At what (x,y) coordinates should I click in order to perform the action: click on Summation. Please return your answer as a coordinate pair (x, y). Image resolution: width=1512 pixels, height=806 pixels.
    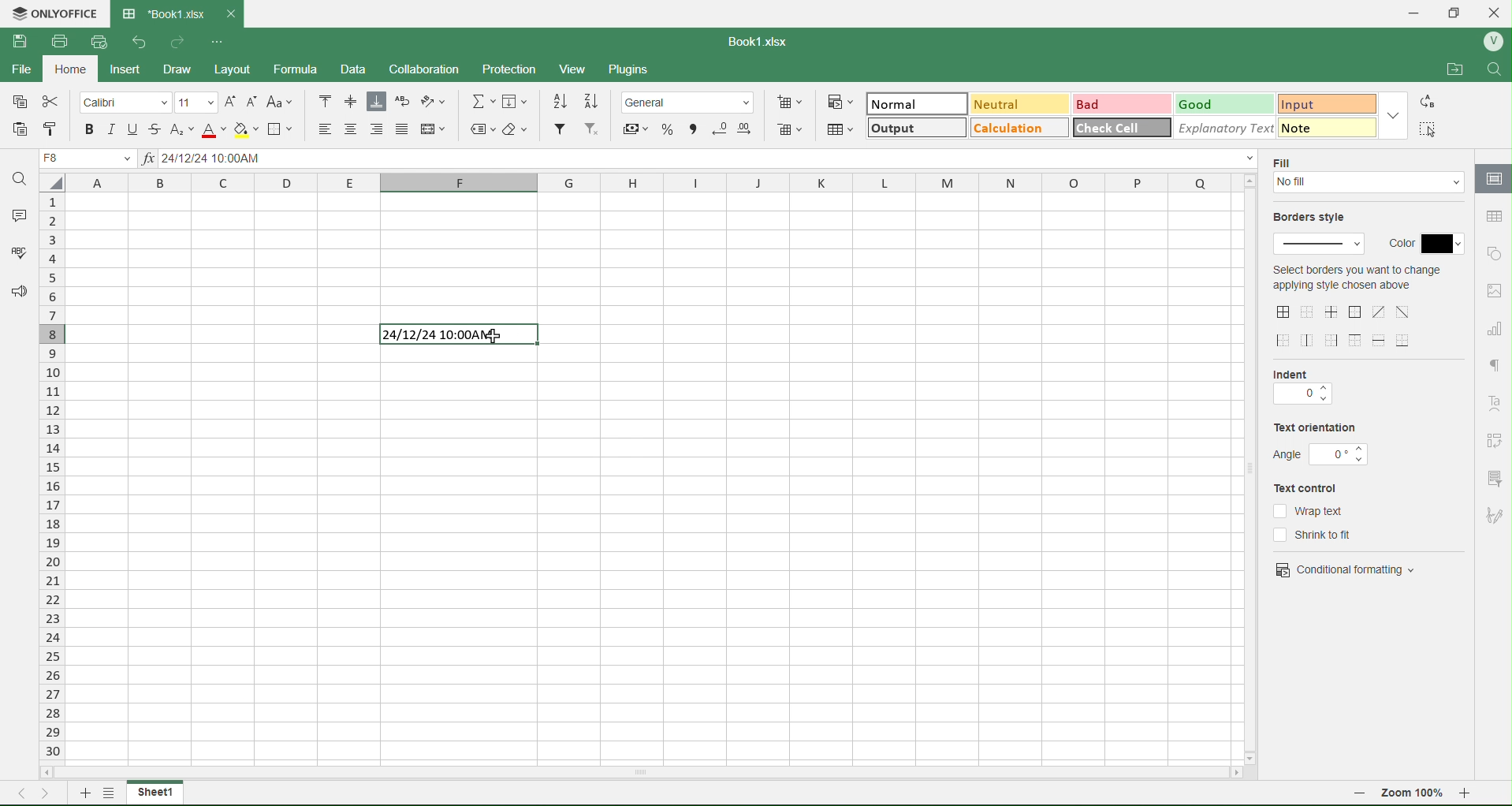
    Looking at the image, I should click on (484, 101).